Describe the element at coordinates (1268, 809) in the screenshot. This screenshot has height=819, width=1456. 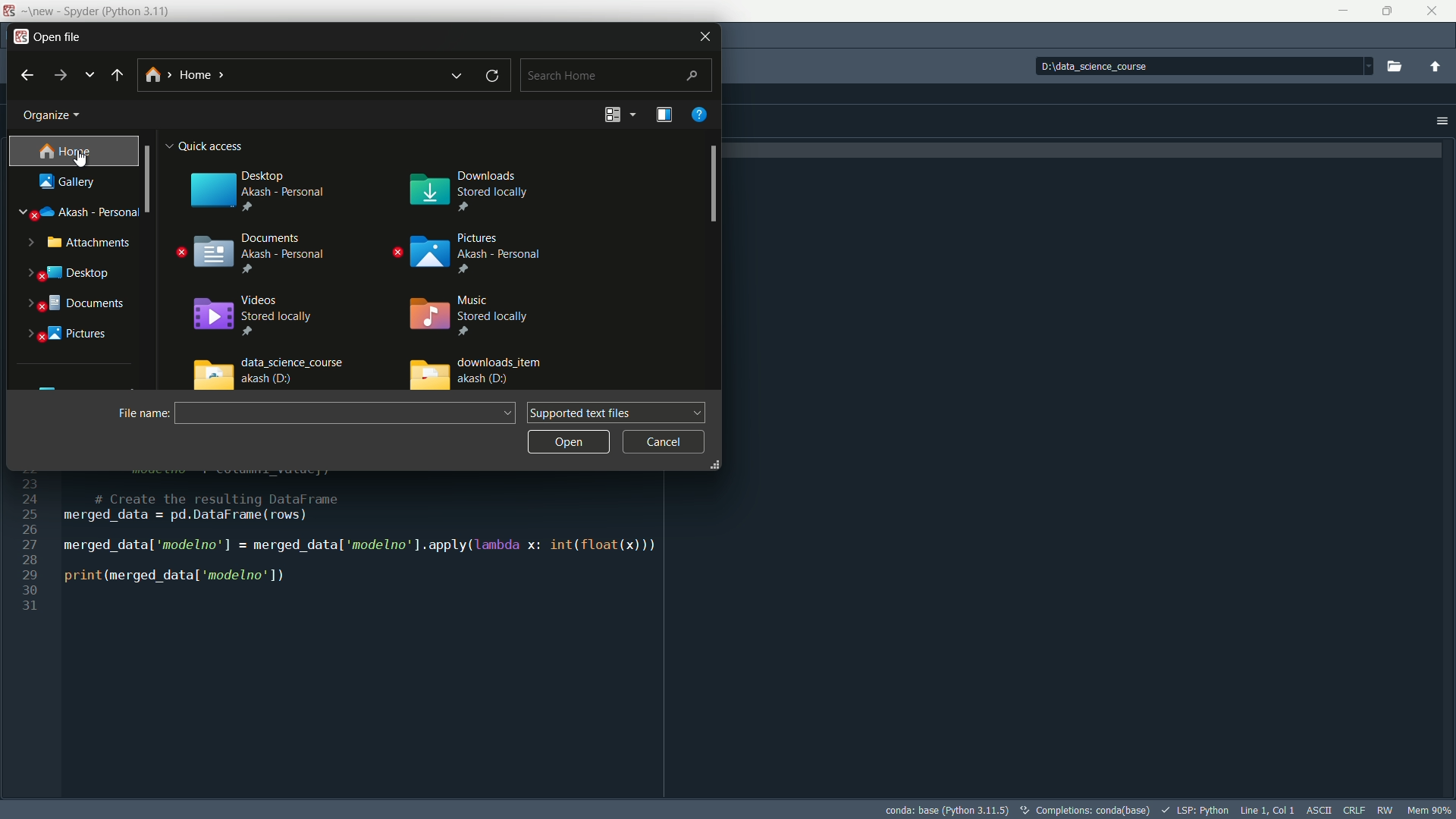
I see `cursor position` at that location.